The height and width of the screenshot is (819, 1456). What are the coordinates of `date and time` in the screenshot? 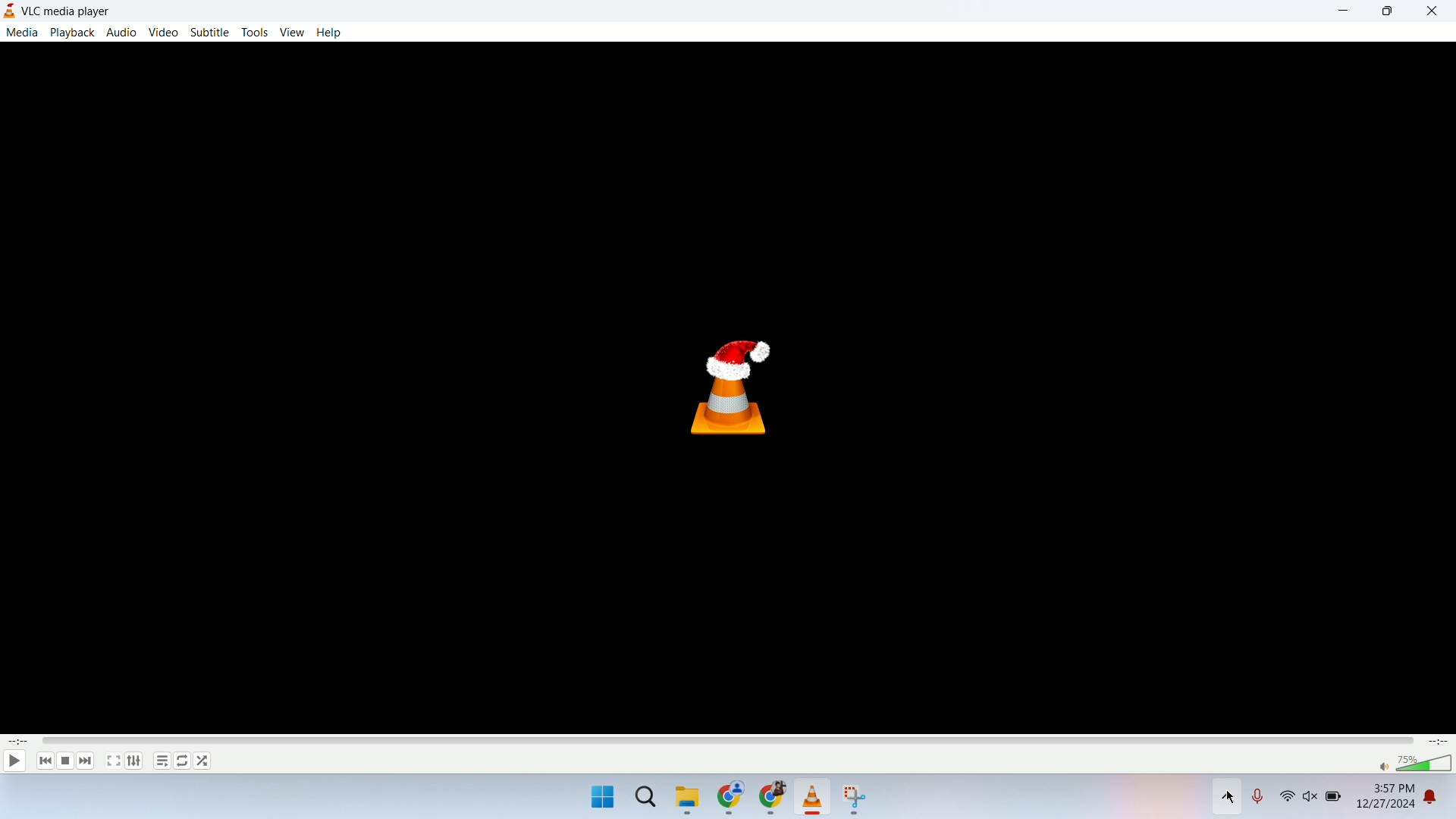 It's located at (1385, 800).